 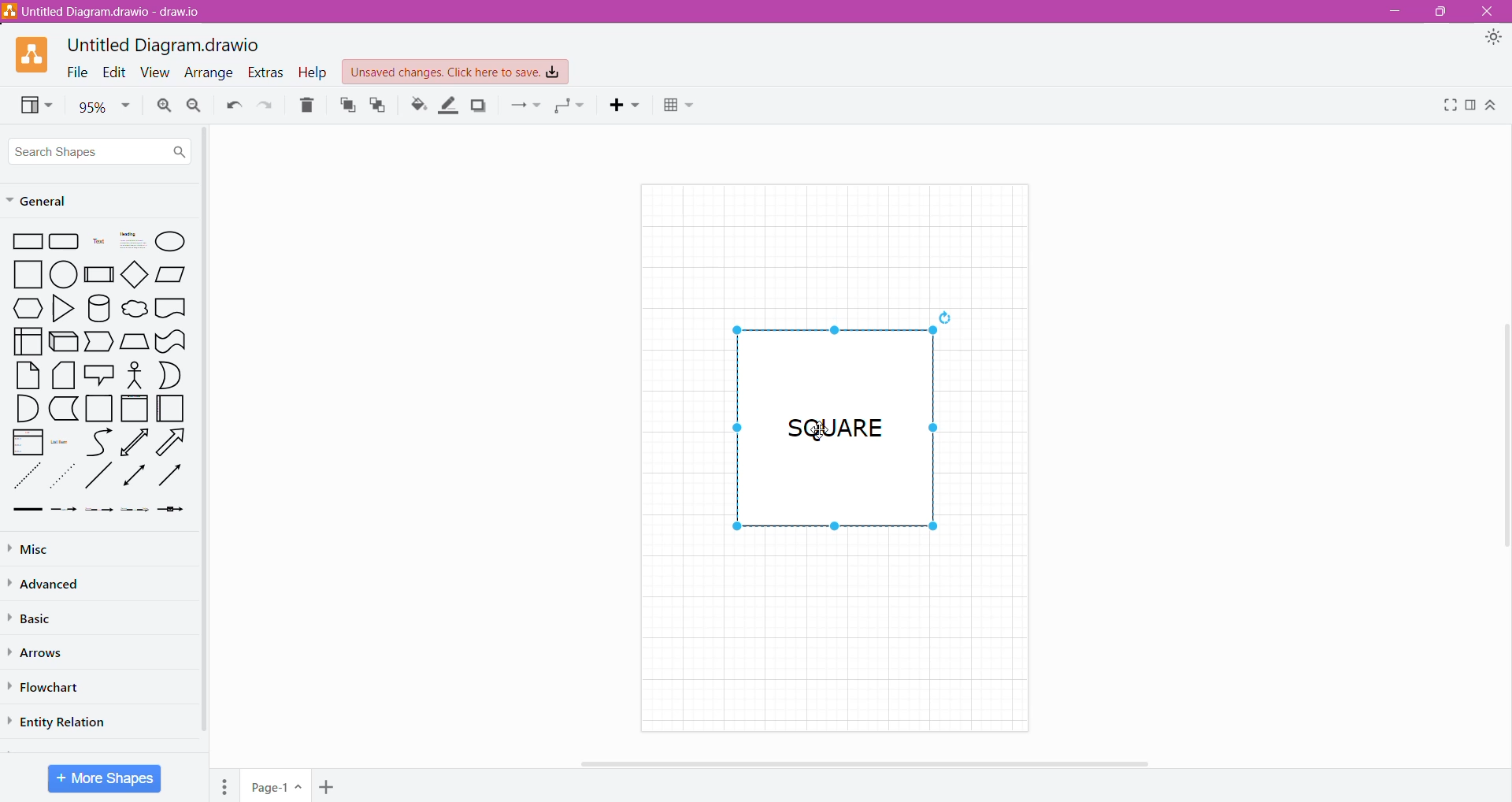 What do you see at coordinates (173, 512) in the screenshot?
I see `Arrow with a Box ` at bounding box center [173, 512].